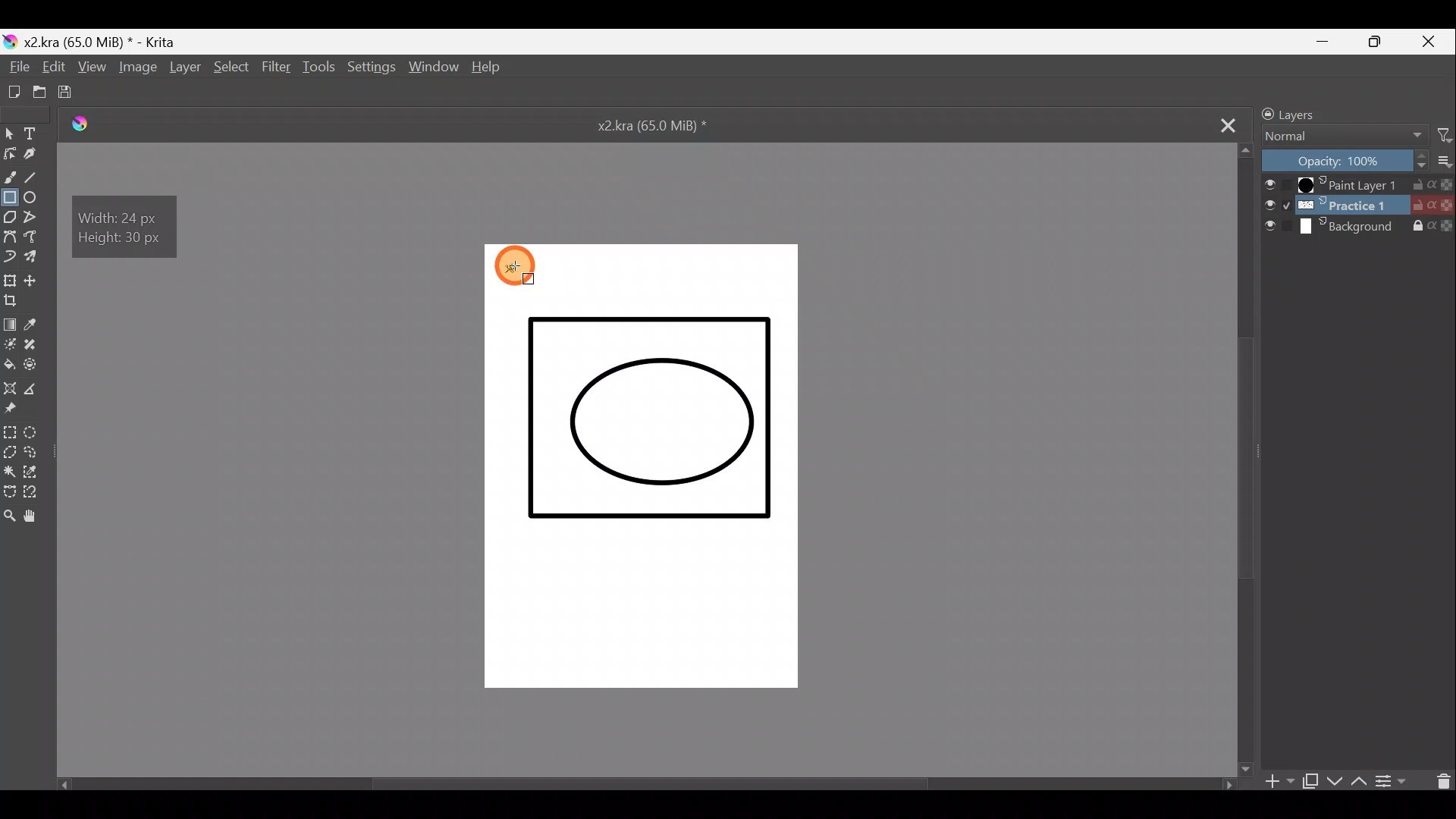  Describe the element at coordinates (1310, 784) in the screenshot. I see `Duplicate layer` at that location.